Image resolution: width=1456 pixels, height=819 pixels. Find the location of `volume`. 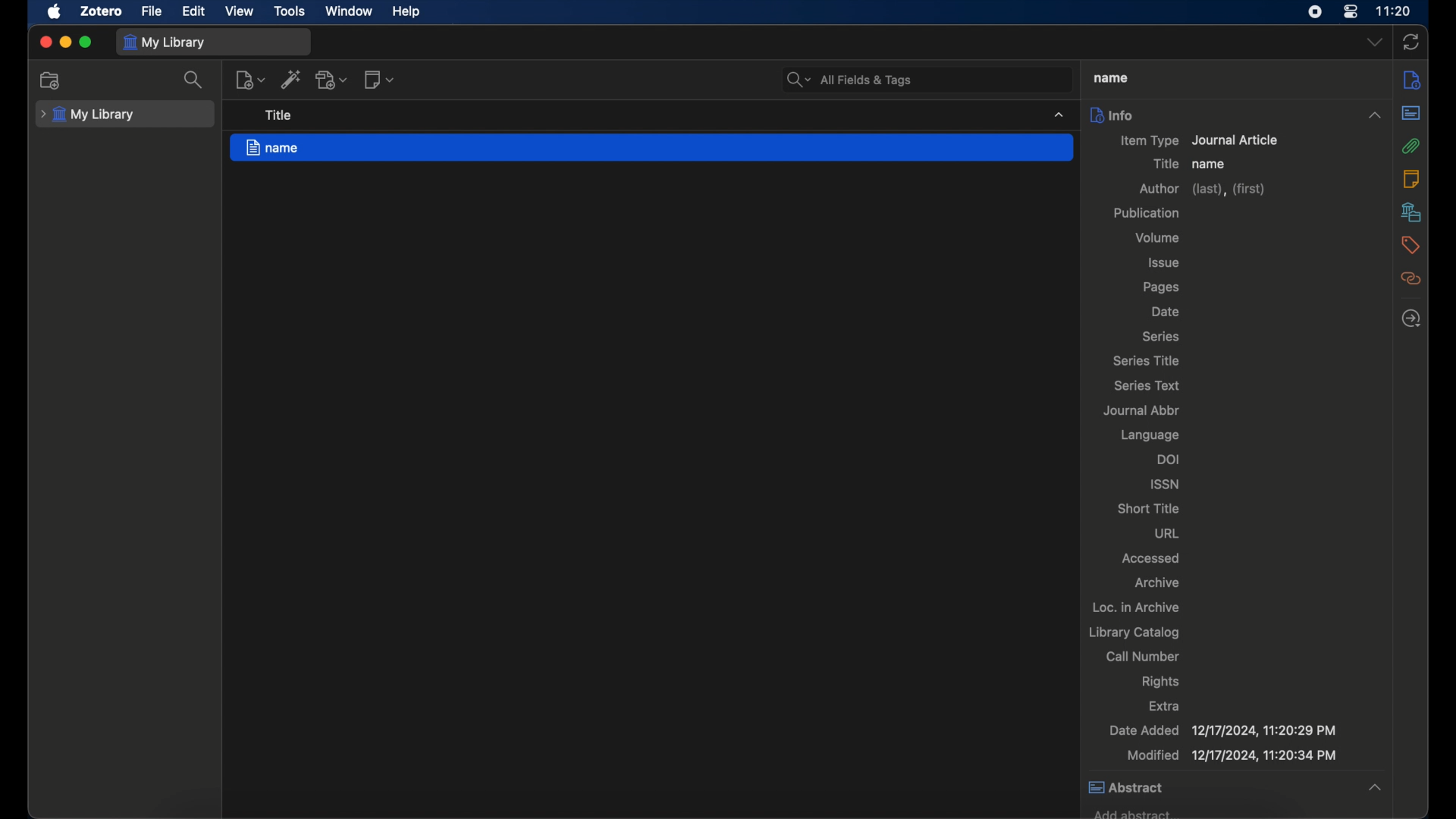

volume is located at coordinates (1156, 238).